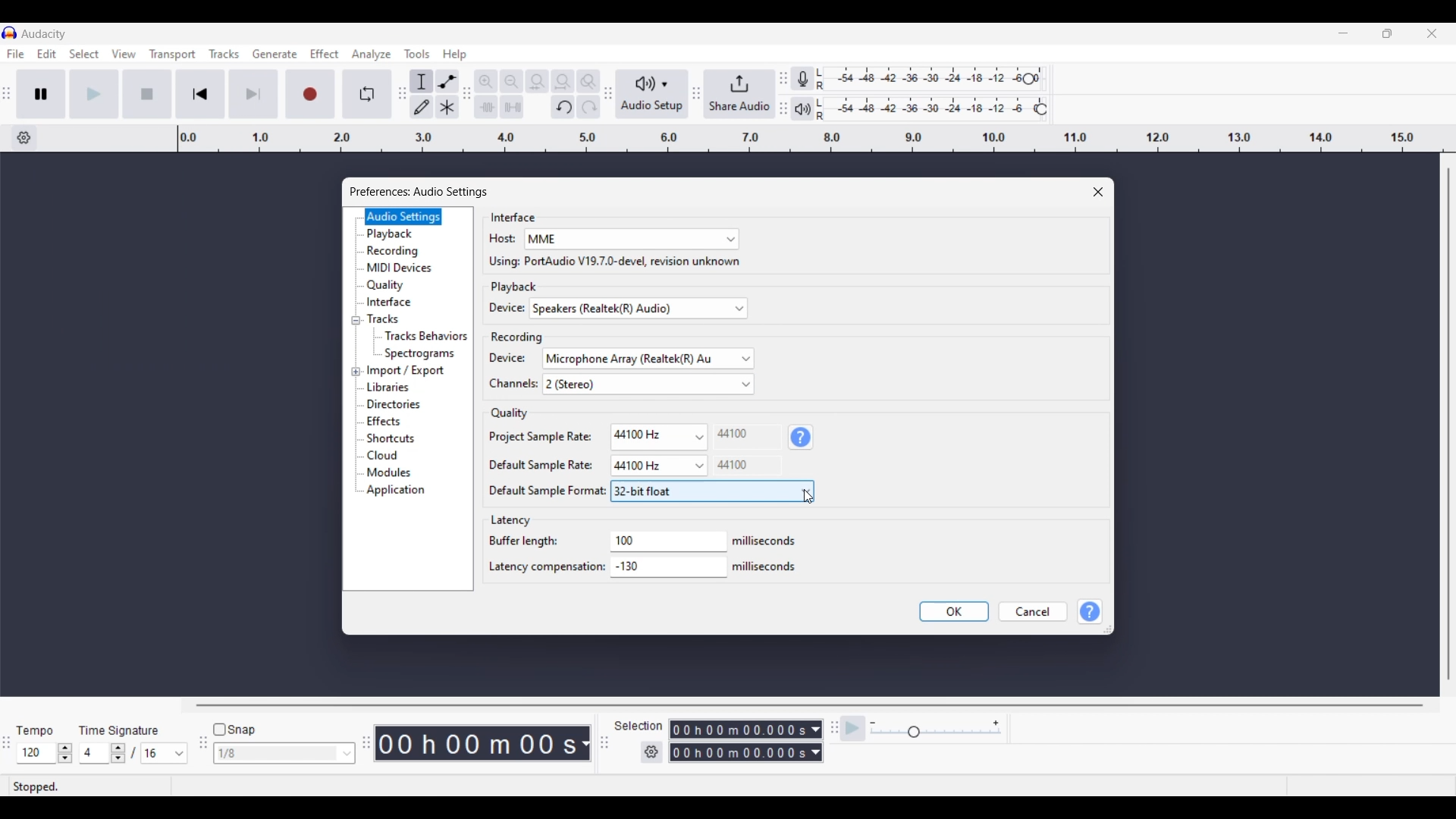 The height and width of the screenshot is (819, 1456). I want to click on Edit menu, so click(47, 55).